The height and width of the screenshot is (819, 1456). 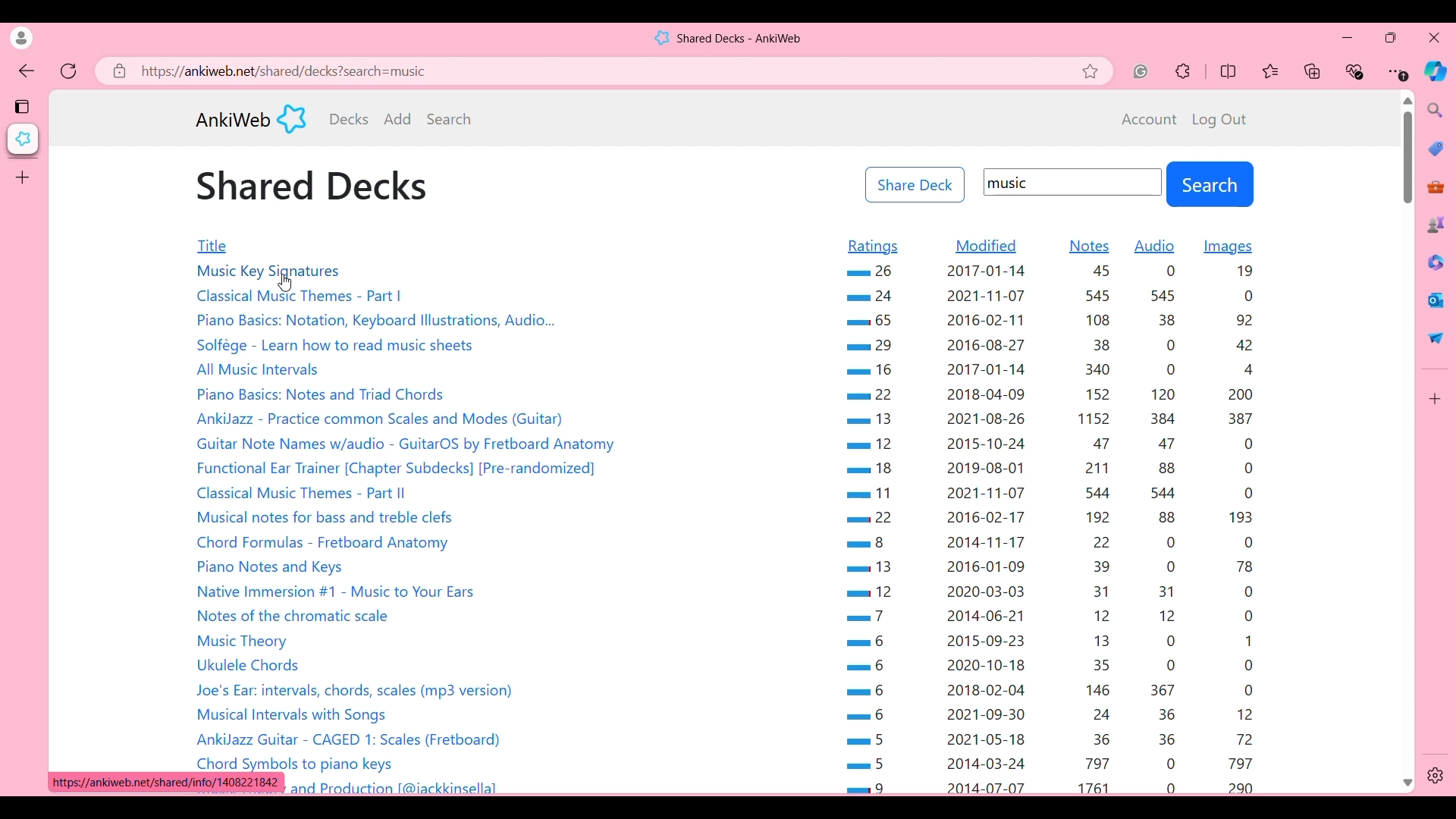 I want to click on Grammarly extension, so click(x=1141, y=71).